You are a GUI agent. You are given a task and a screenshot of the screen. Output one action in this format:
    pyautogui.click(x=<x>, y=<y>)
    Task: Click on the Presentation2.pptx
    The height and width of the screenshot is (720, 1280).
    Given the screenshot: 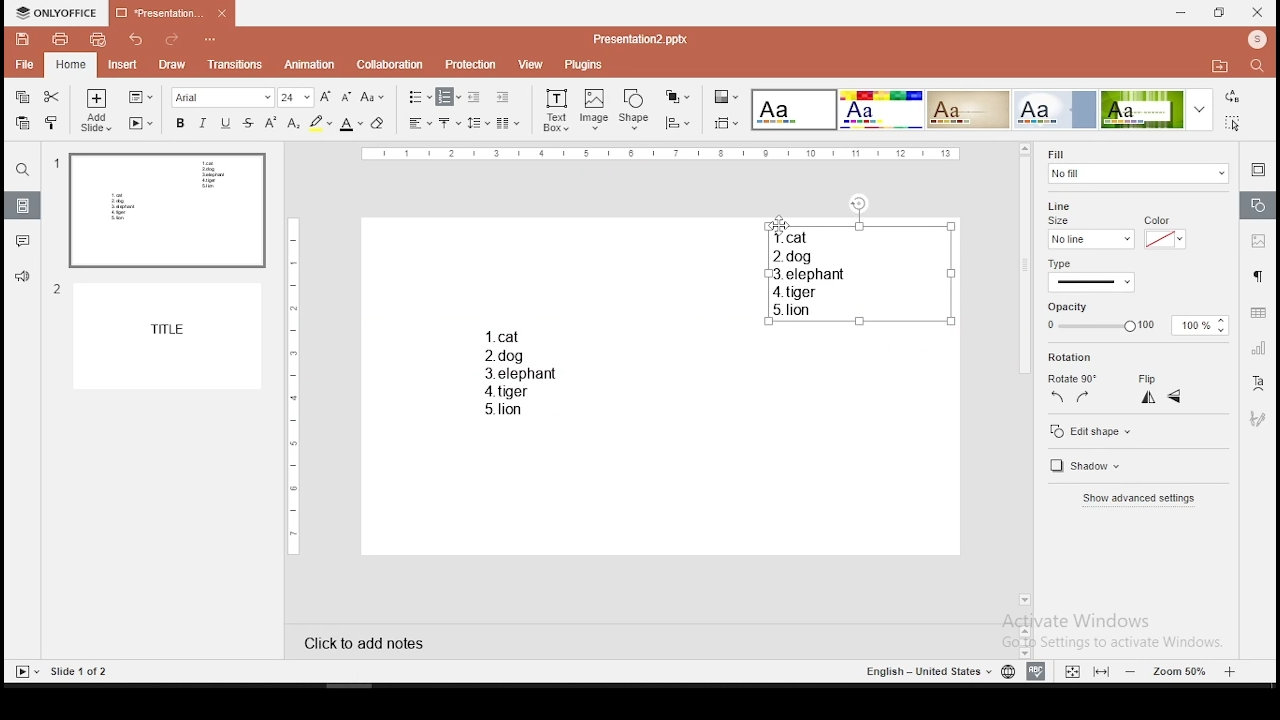 What is the action you would take?
    pyautogui.click(x=647, y=39)
    